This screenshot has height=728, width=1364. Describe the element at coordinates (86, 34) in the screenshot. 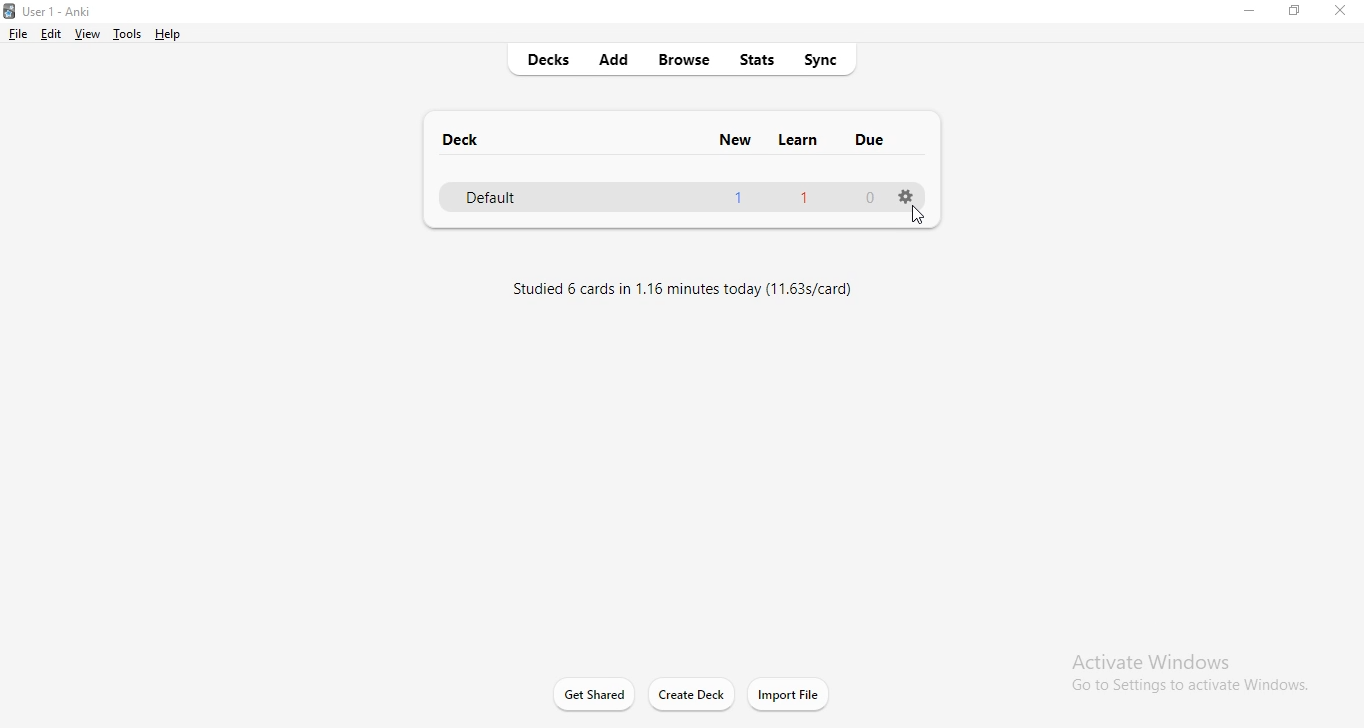

I see `view` at that location.